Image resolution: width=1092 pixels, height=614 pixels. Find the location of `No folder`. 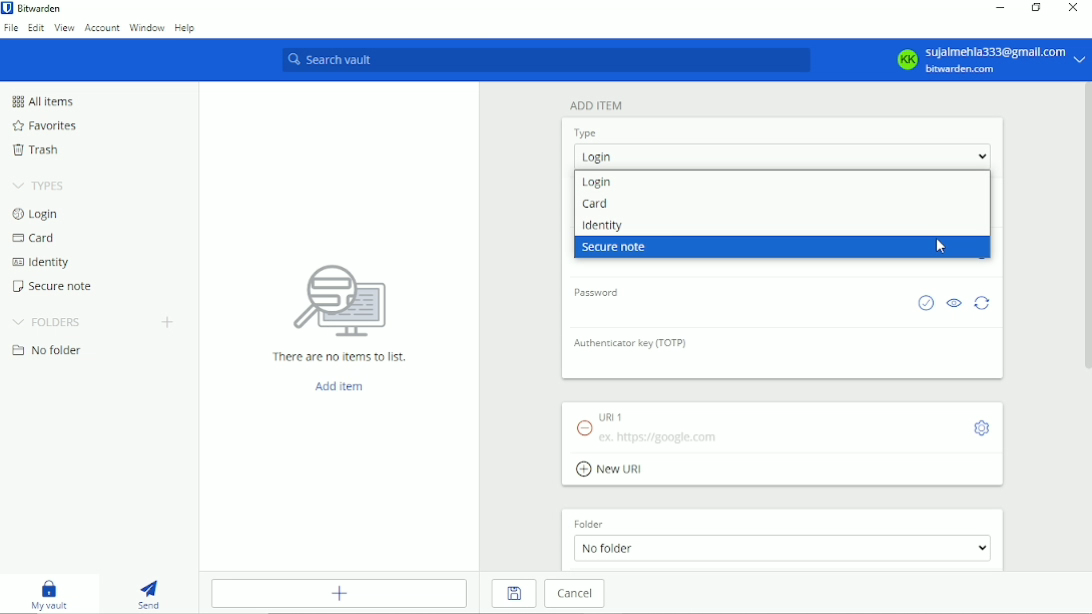

No folder is located at coordinates (785, 550).